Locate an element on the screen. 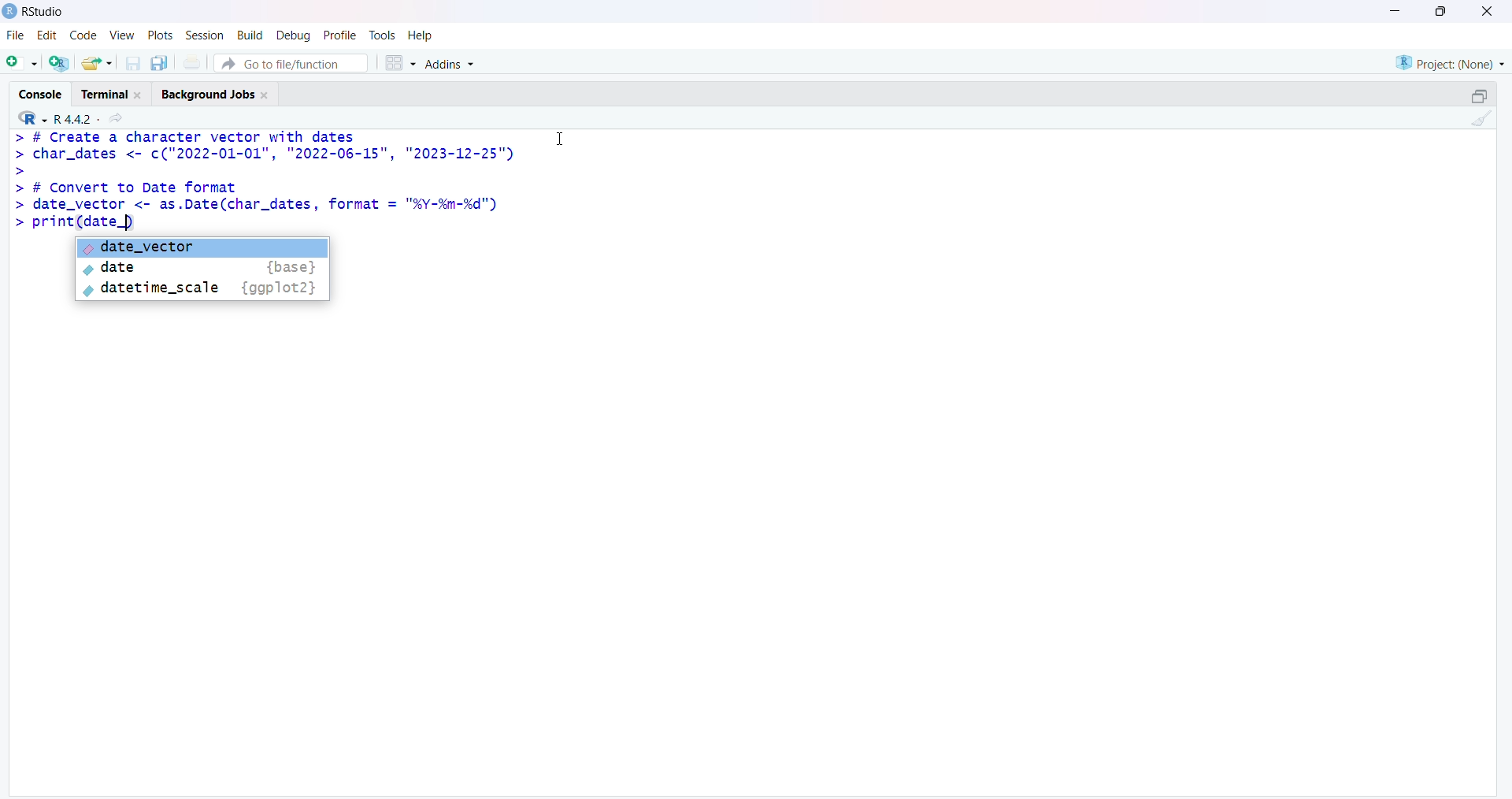 This screenshot has height=799, width=1512. Tools is located at coordinates (383, 35).